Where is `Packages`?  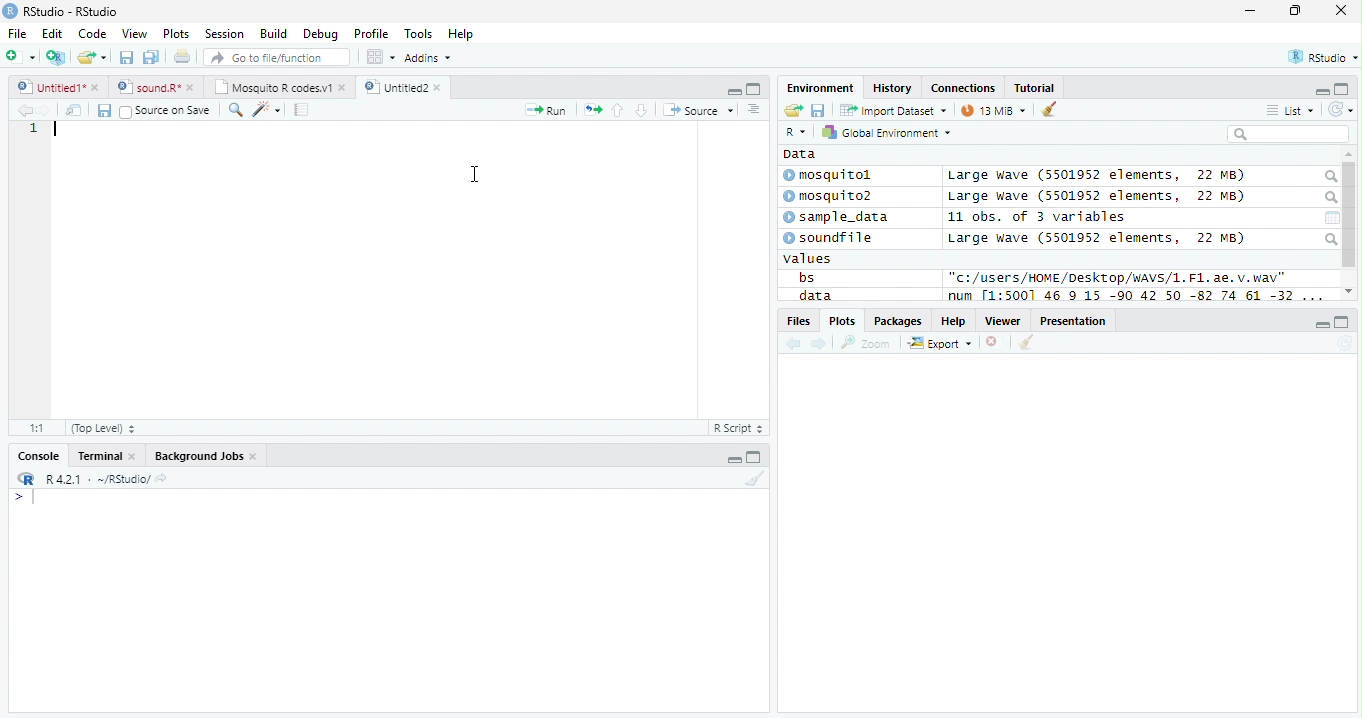
Packages is located at coordinates (899, 321).